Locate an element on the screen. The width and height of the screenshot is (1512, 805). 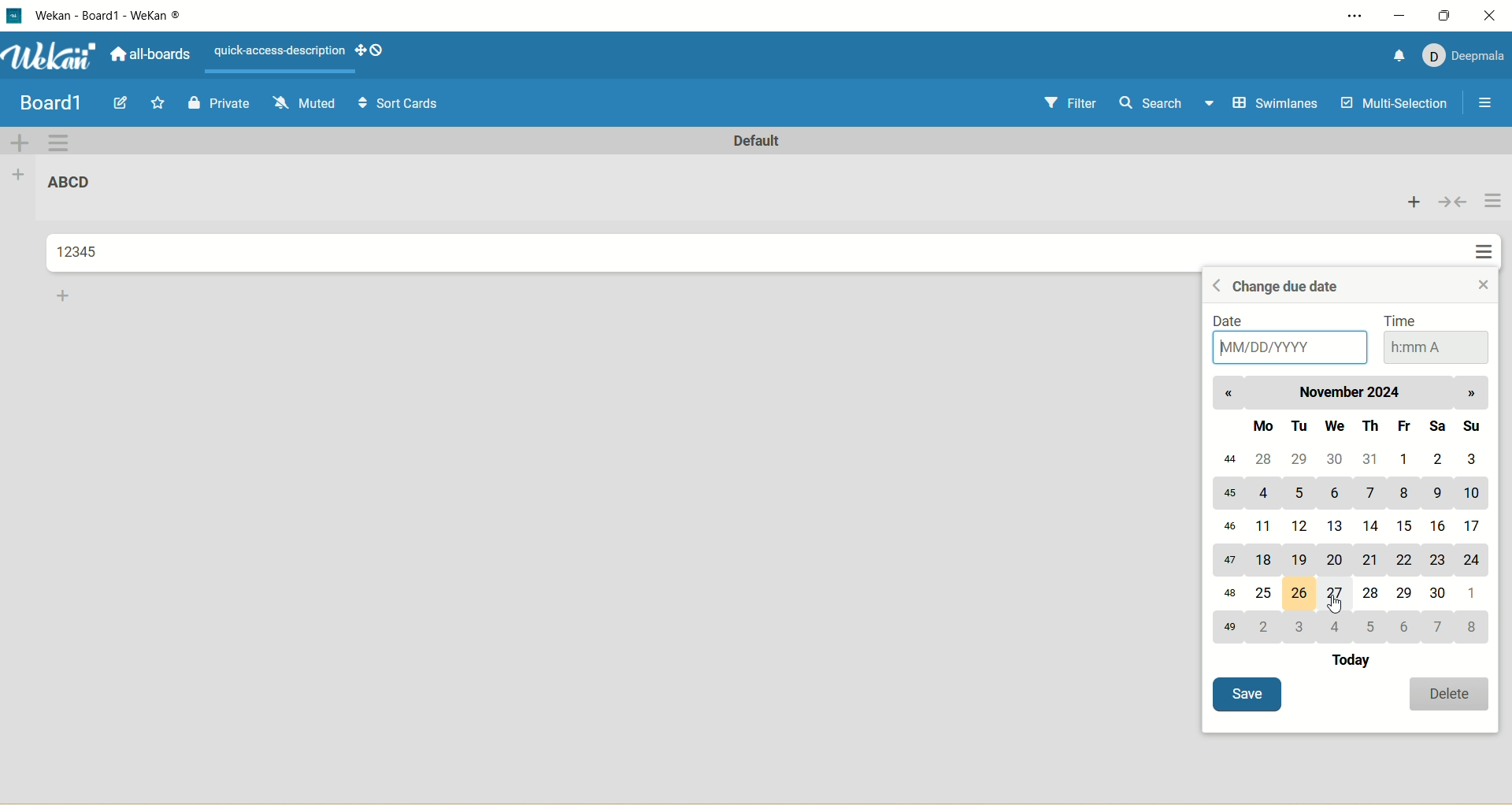
settings and more is located at coordinates (1346, 16).